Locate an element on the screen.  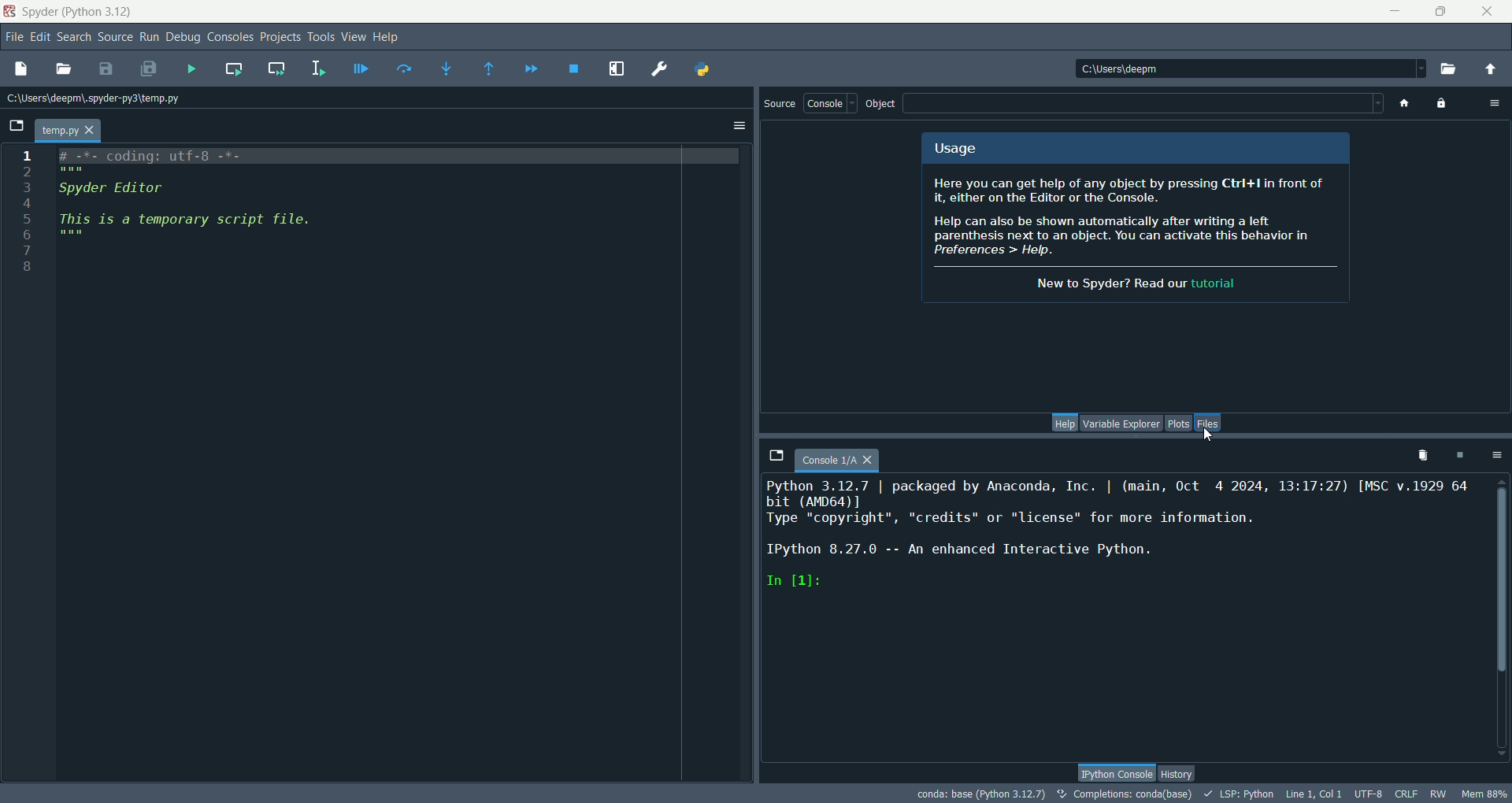
temp.py is located at coordinates (70, 131).